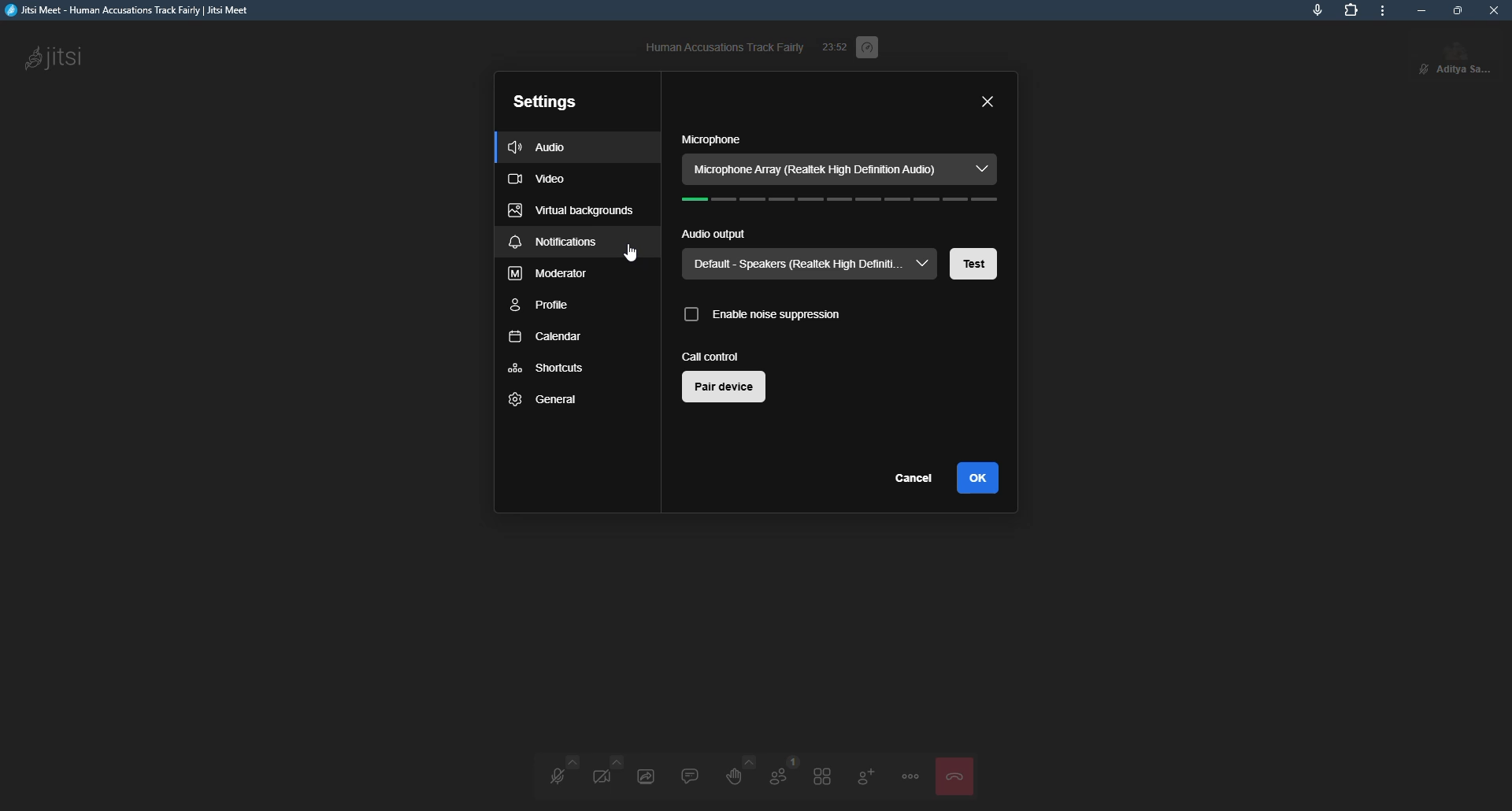  Describe the element at coordinates (714, 235) in the screenshot. I see `audio output` at that location.